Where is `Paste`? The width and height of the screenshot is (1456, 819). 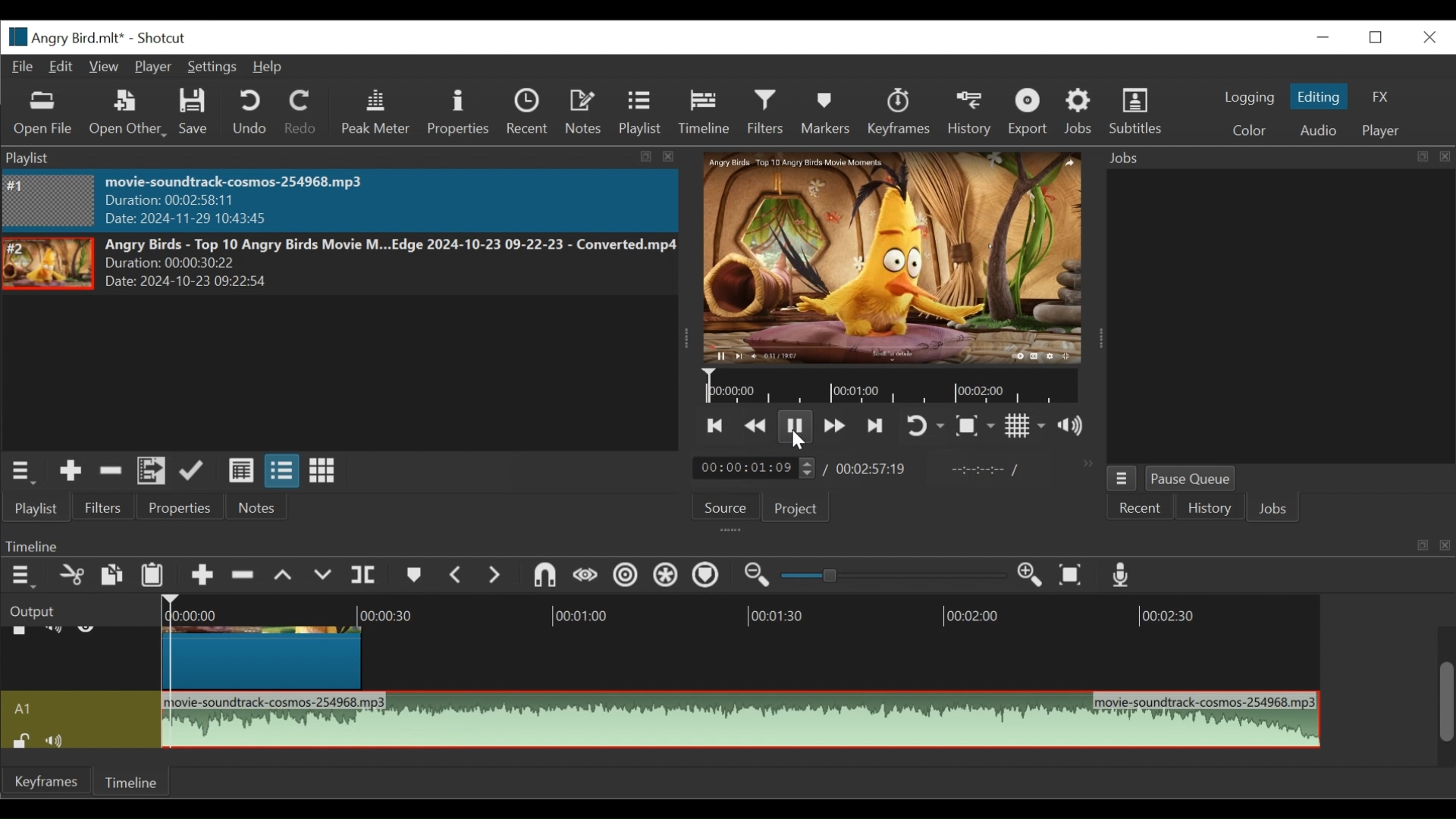 Paste is located at coordinates (153, 575).